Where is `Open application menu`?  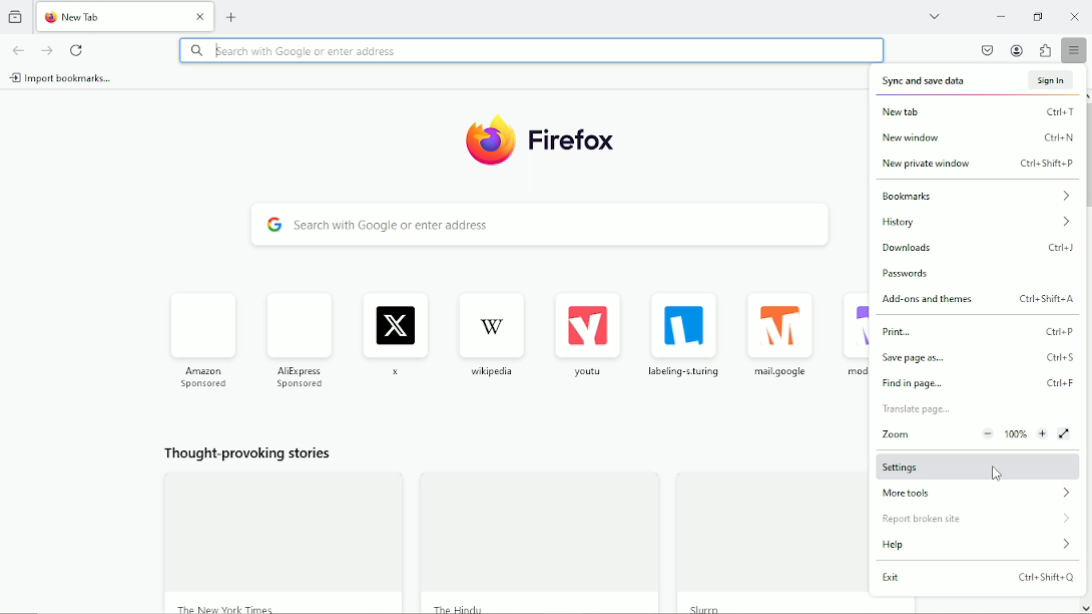 Open application menu is located at coordinates (1075, 50).